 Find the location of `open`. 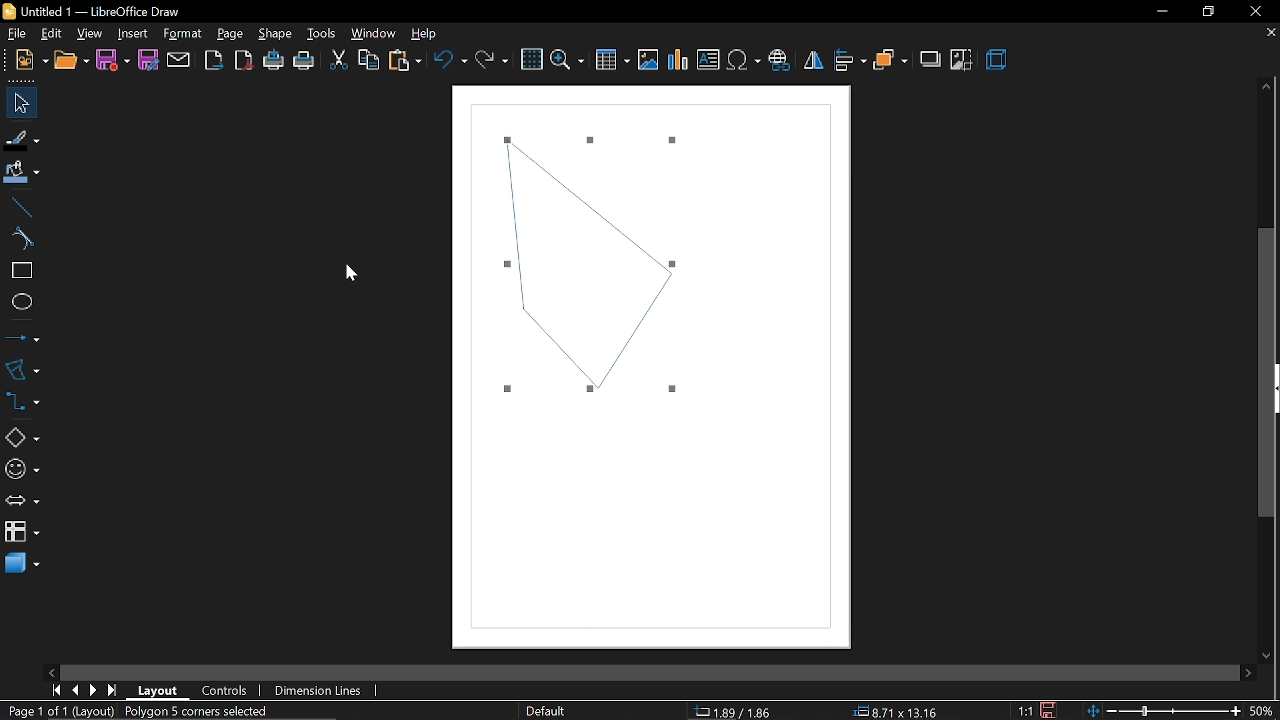

open is located at coordinates (70, 61).